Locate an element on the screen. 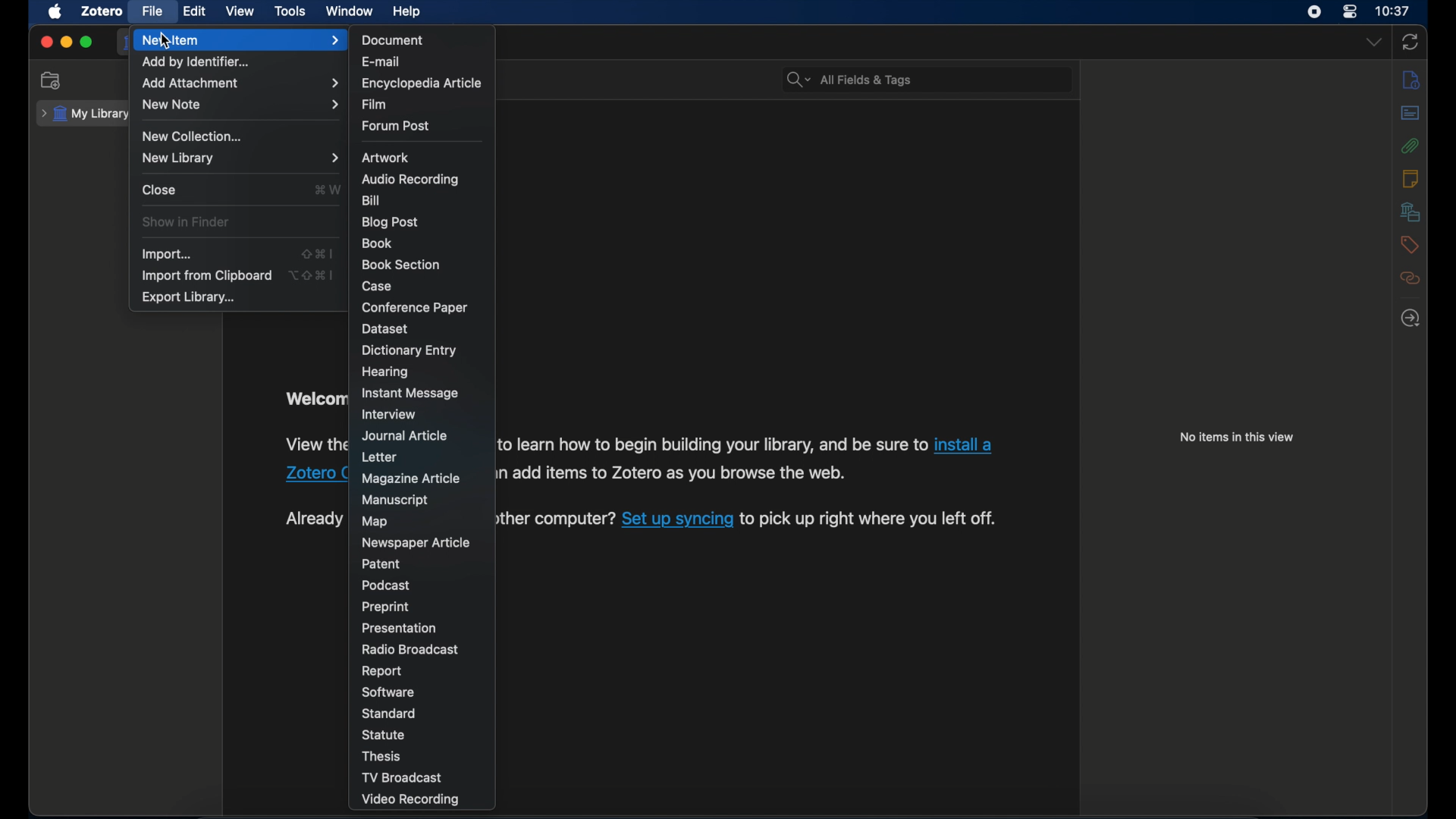  interview is located at coordinates (390, 414).